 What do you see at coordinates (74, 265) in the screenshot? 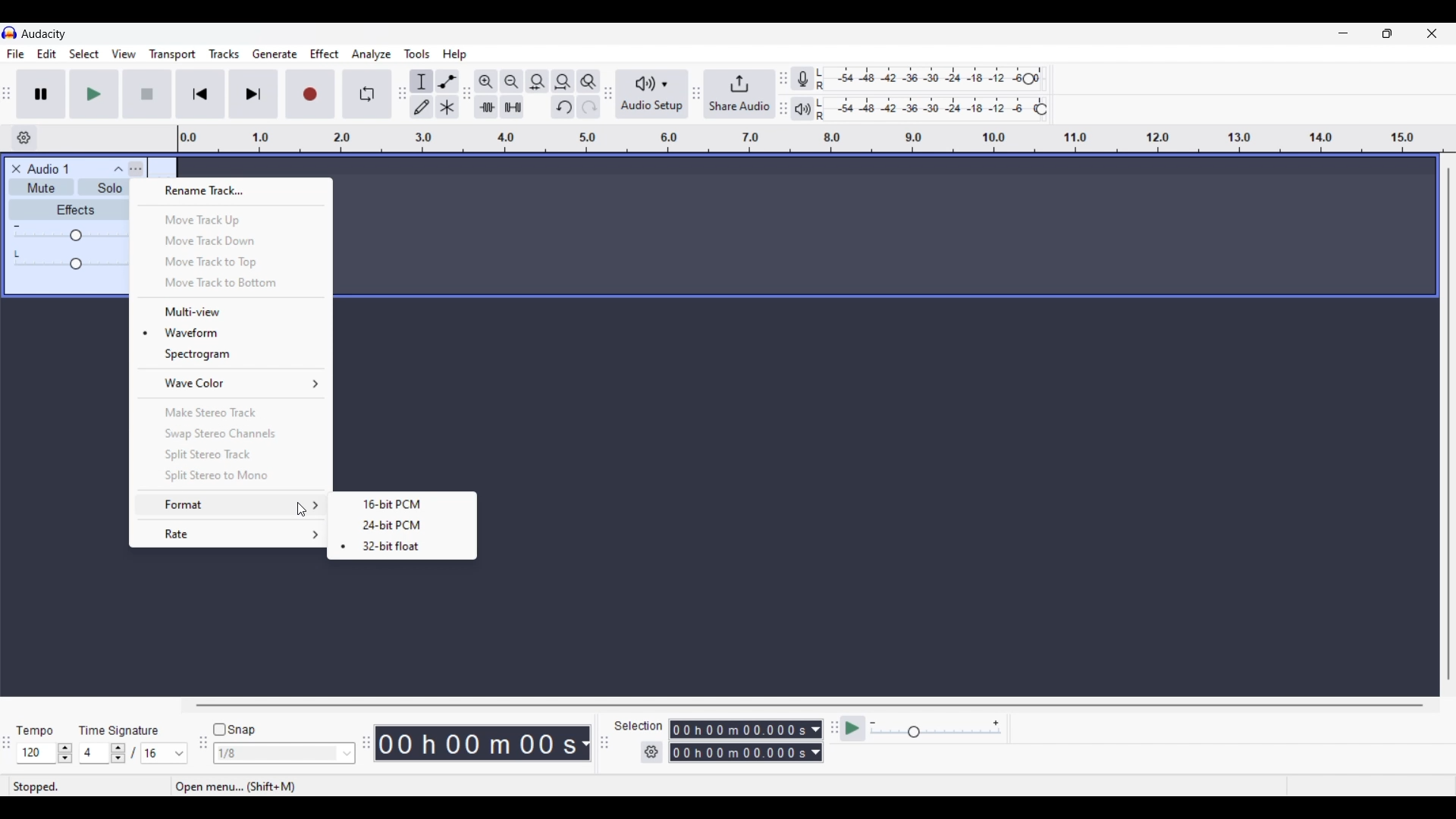
I see `slider` at bounding box center [74, 265].